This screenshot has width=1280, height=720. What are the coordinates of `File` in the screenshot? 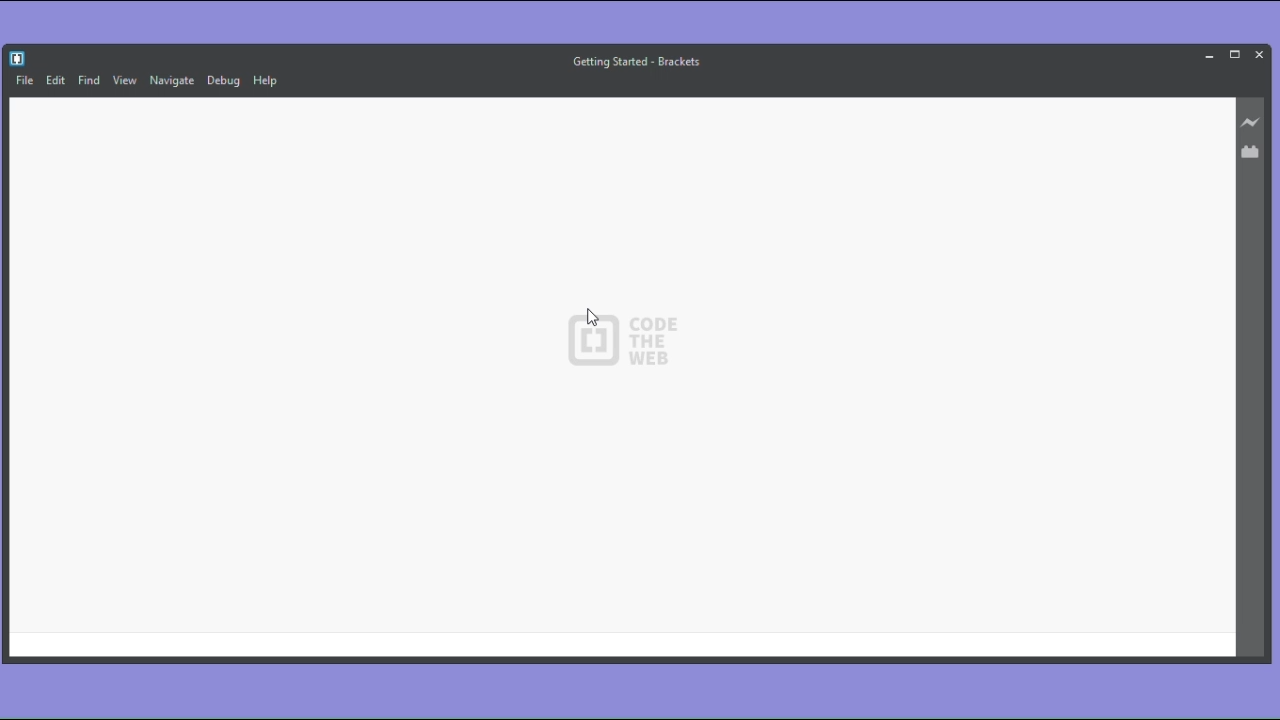 It's located at (21, 82).